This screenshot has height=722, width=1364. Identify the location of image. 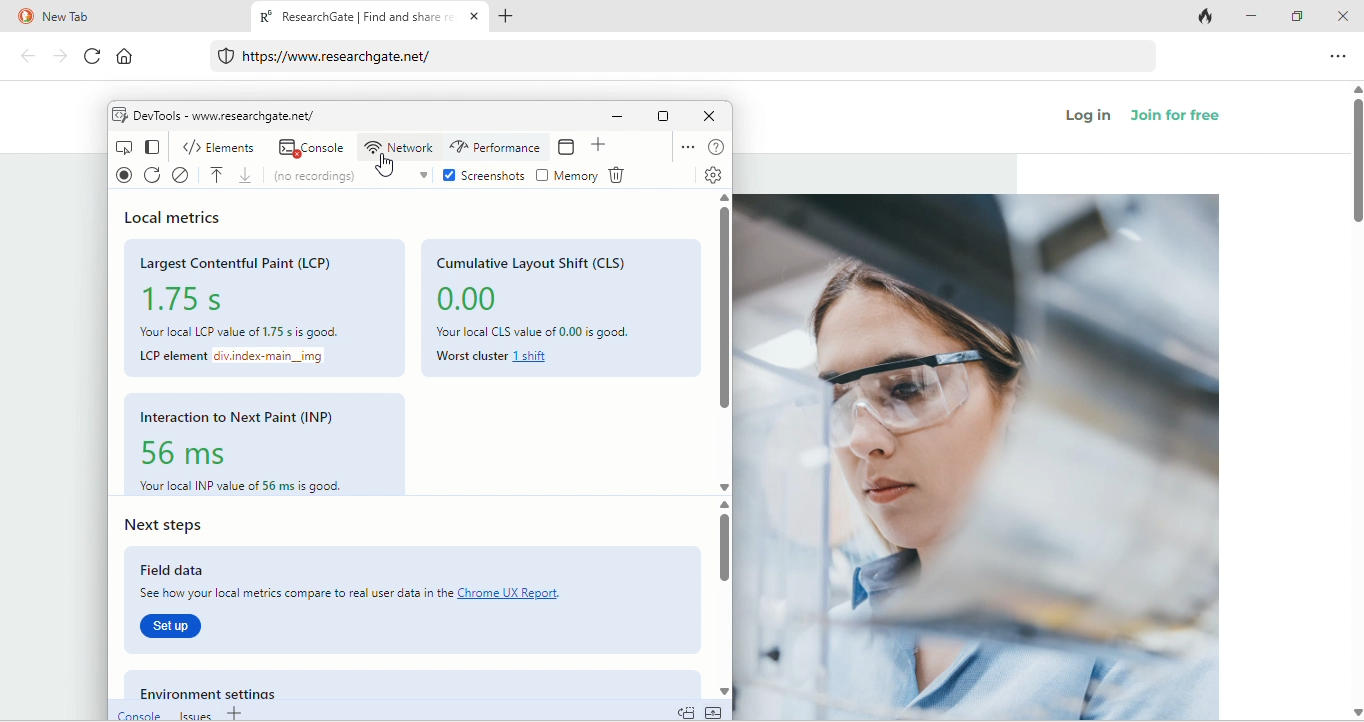
(977, 457).